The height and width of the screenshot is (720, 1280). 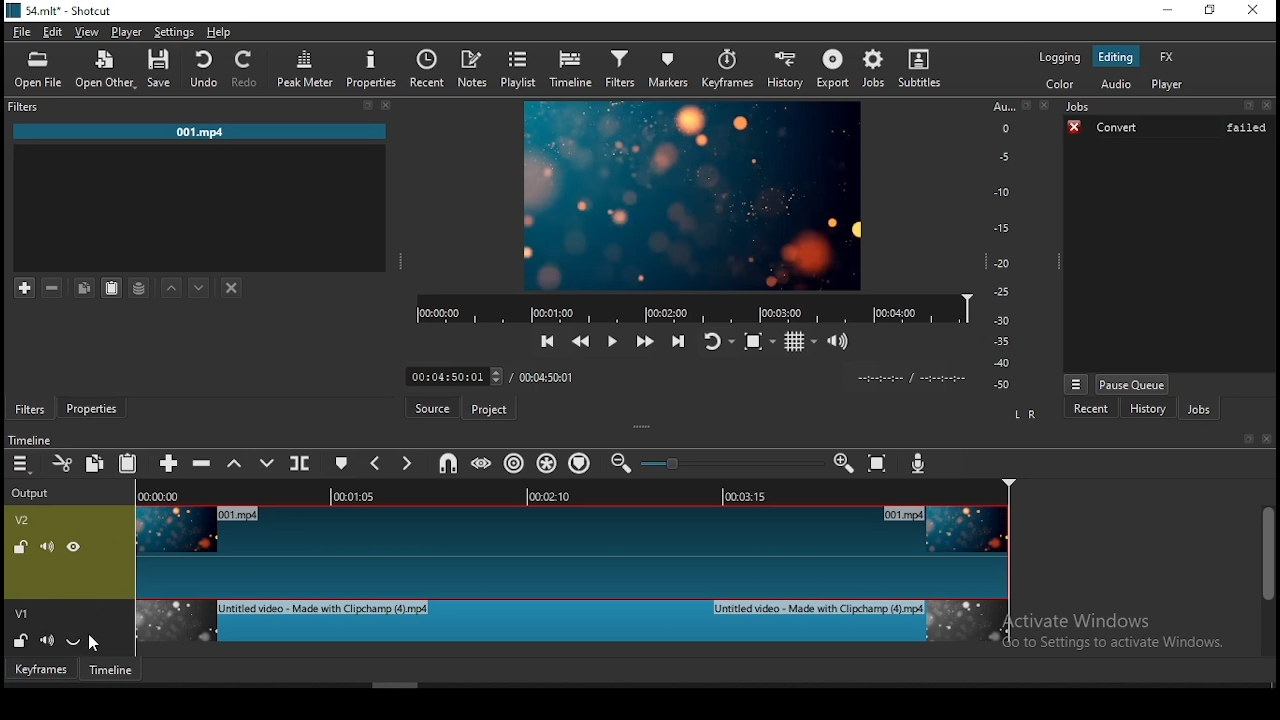 What do you see at coordinates (874, 69) in the screenshot?
I see `jobs` at bounding box center [874, 69].